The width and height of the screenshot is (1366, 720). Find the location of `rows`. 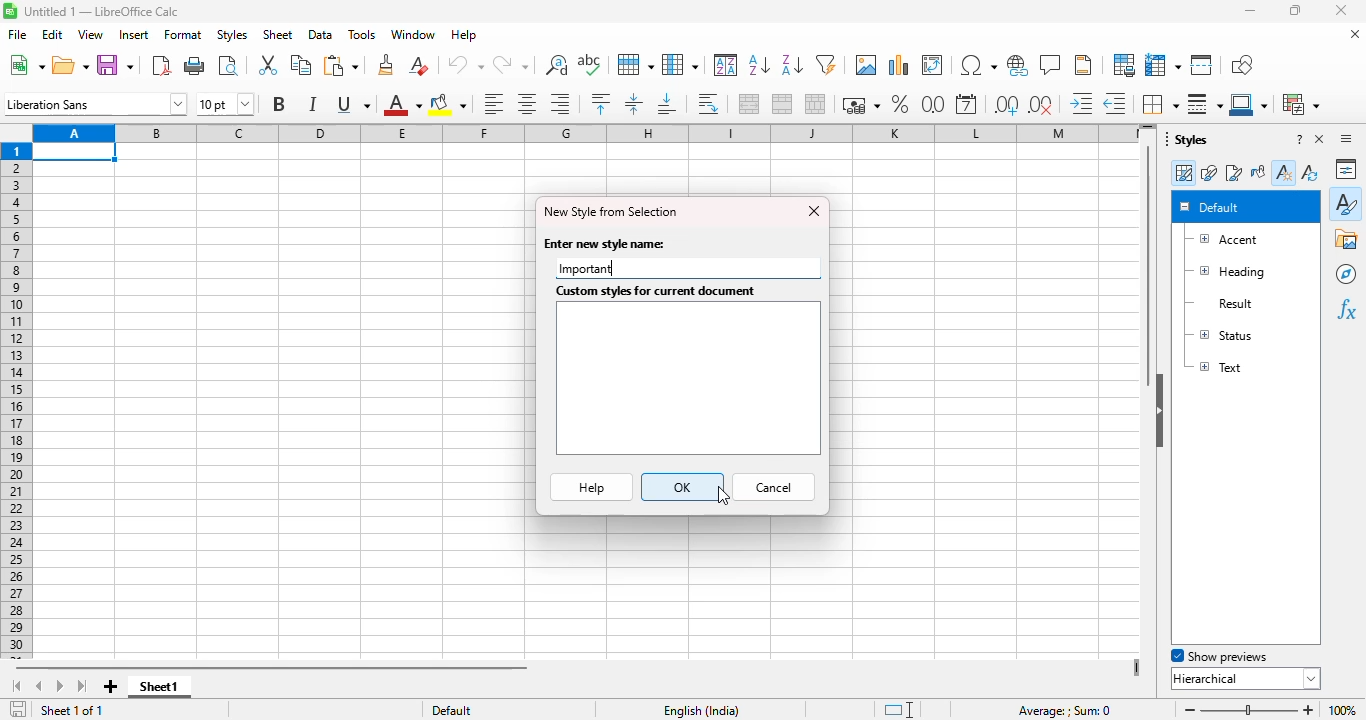

rows is located at coordinates (17, 401).